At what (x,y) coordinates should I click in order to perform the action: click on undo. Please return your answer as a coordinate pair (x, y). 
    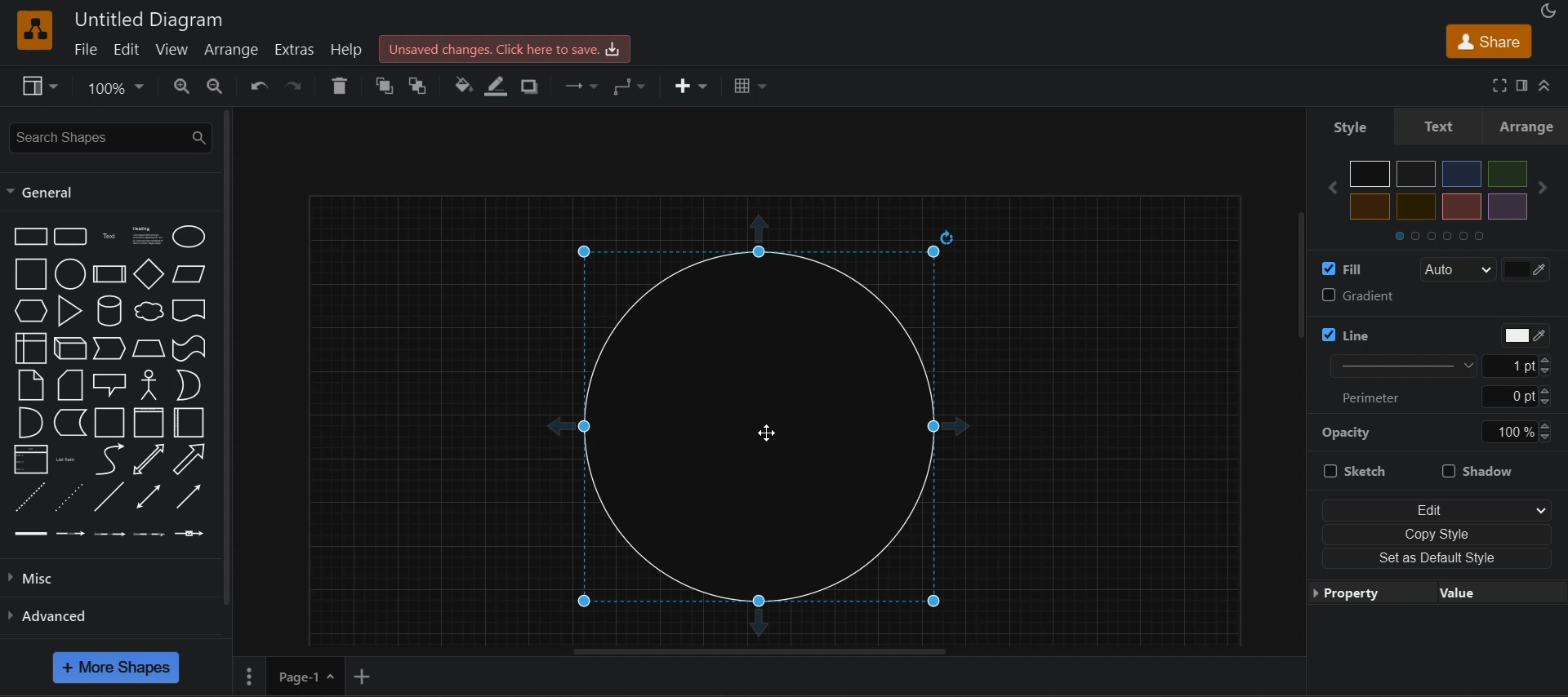
    Looking at the image, I should click on (260, 87).